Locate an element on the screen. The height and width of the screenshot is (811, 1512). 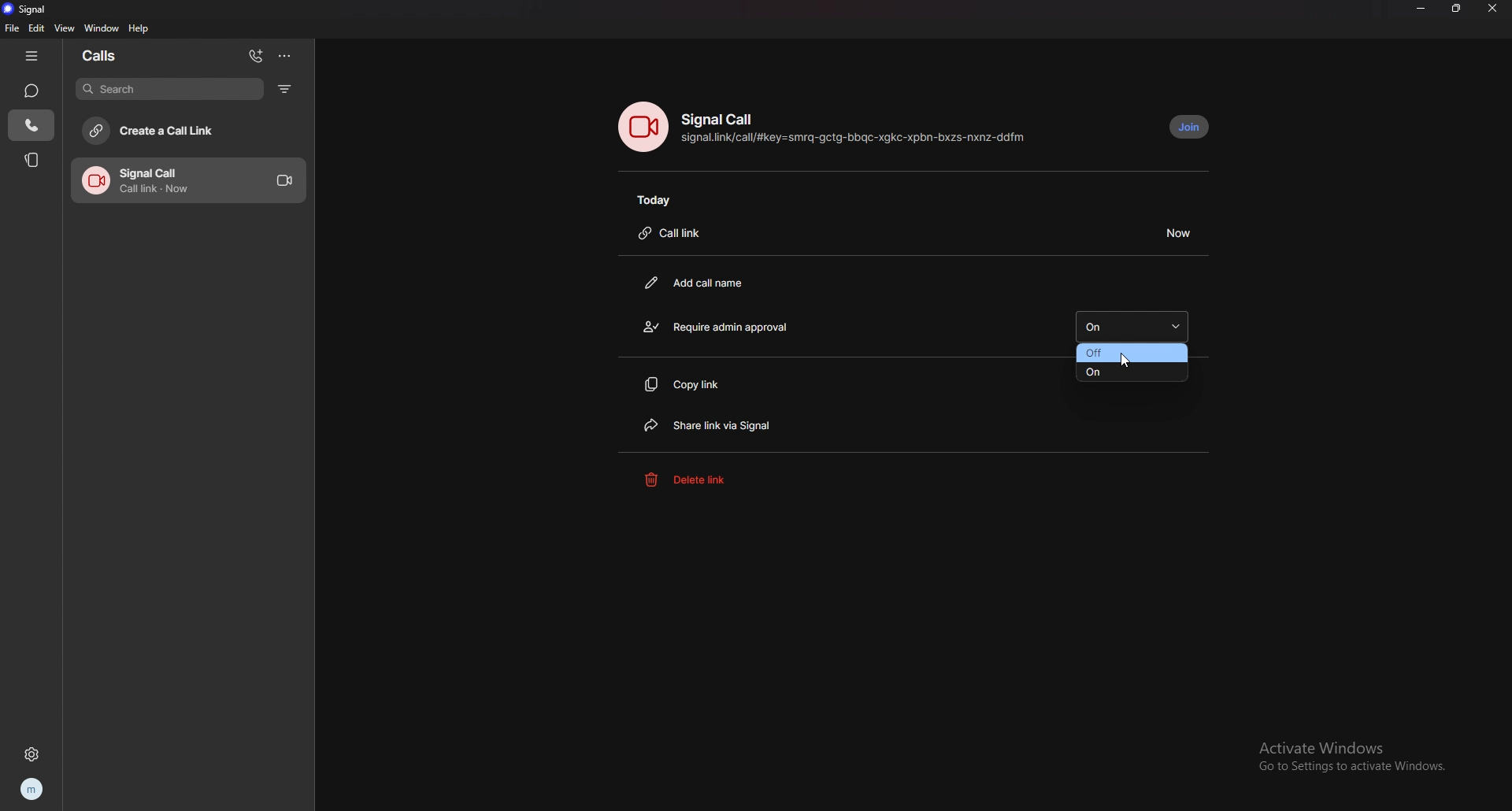
window is located at coordinates (102, 28).